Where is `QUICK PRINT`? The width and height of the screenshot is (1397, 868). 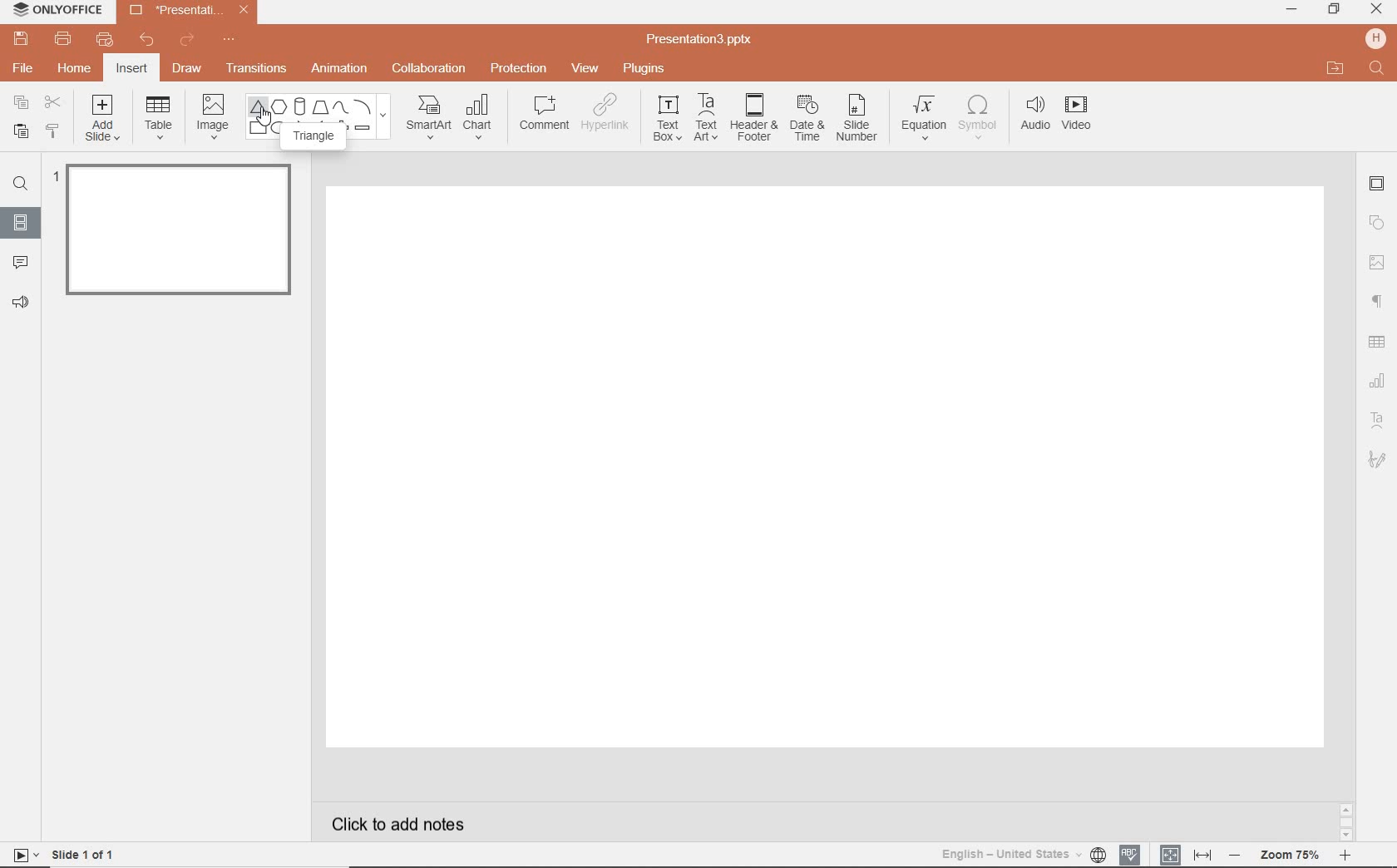 QUICK PRINT is located at coordinates (104, 41).